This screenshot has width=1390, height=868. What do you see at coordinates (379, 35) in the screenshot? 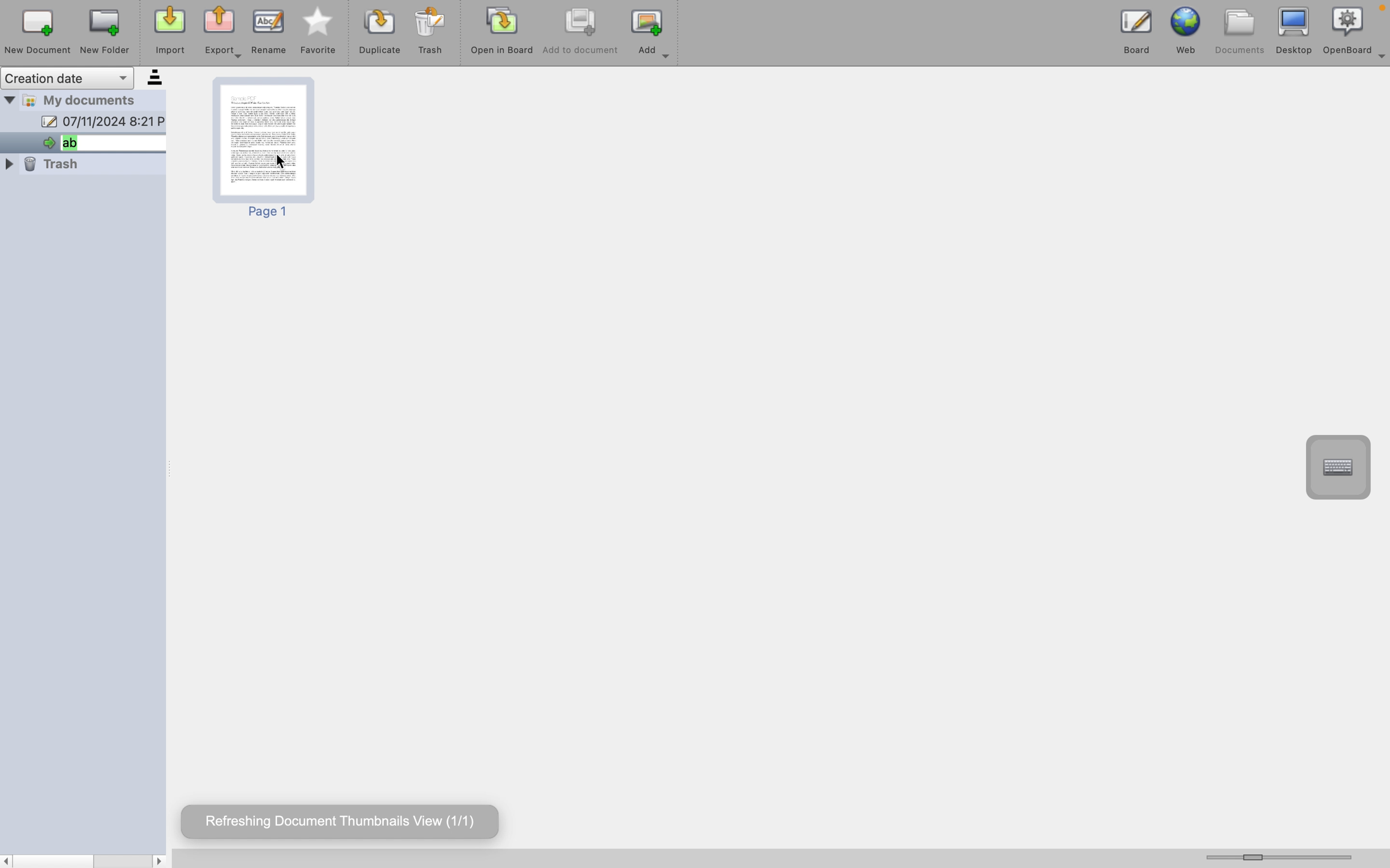
I see `duplicat` at bounding box center [379, 35].